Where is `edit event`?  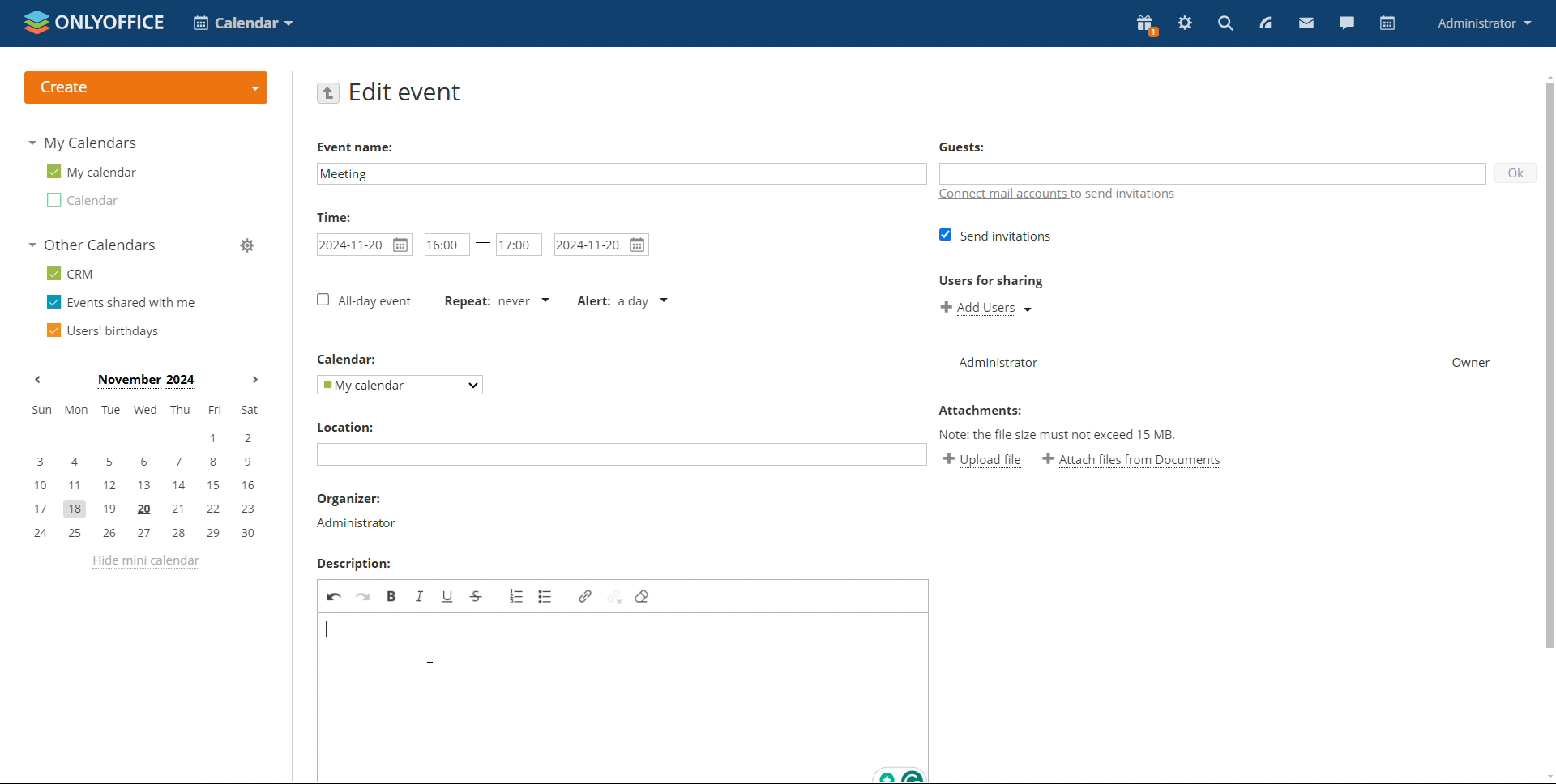 edit event is located at coordinates (406, 93).